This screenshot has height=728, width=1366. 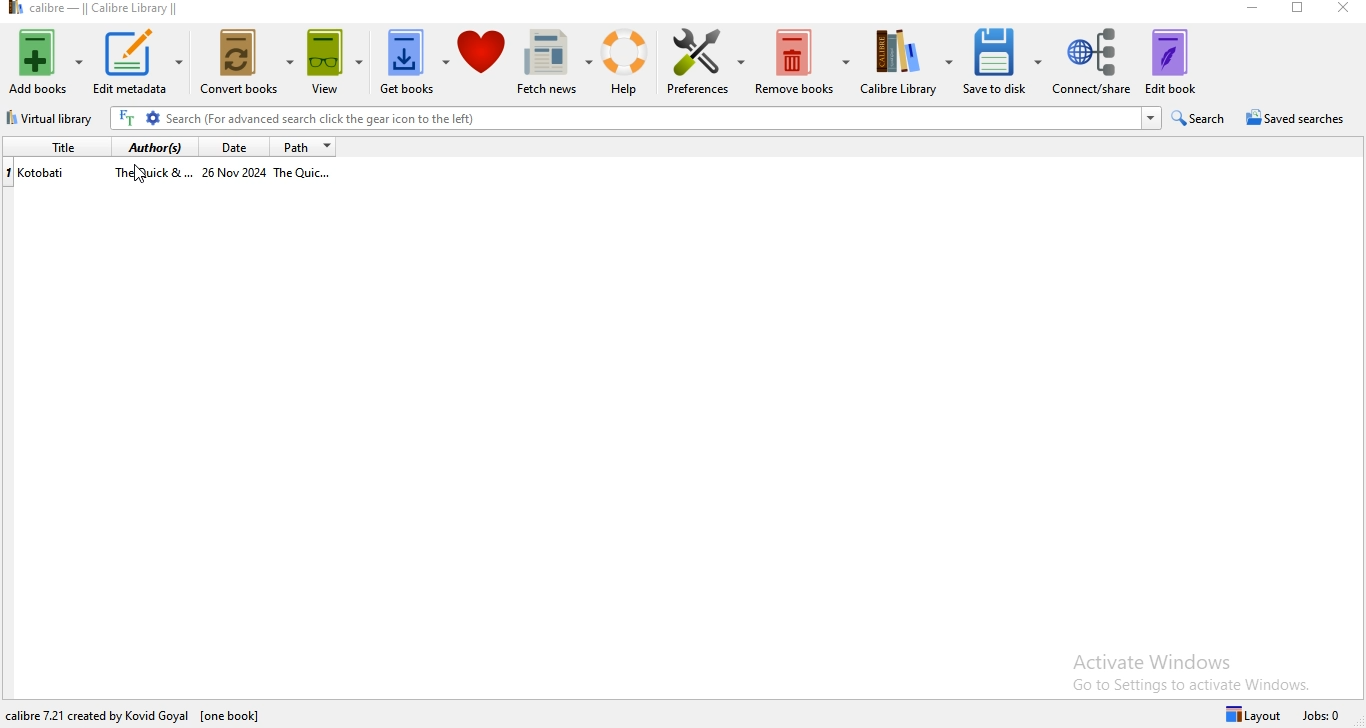 I want to click on restore, so click(x=1300, y=11).